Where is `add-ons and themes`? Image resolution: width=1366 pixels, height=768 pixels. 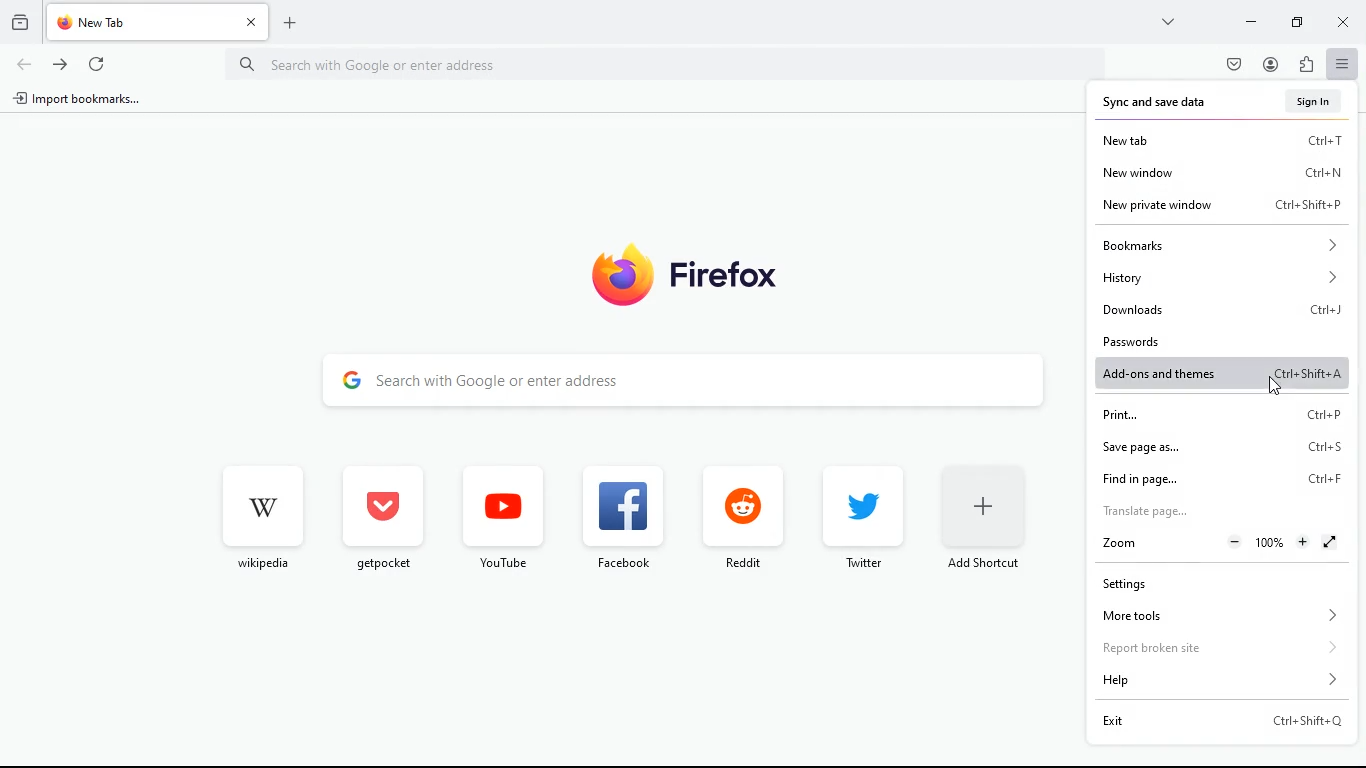 add-ons and themes is located at coordinates (1224, 372).